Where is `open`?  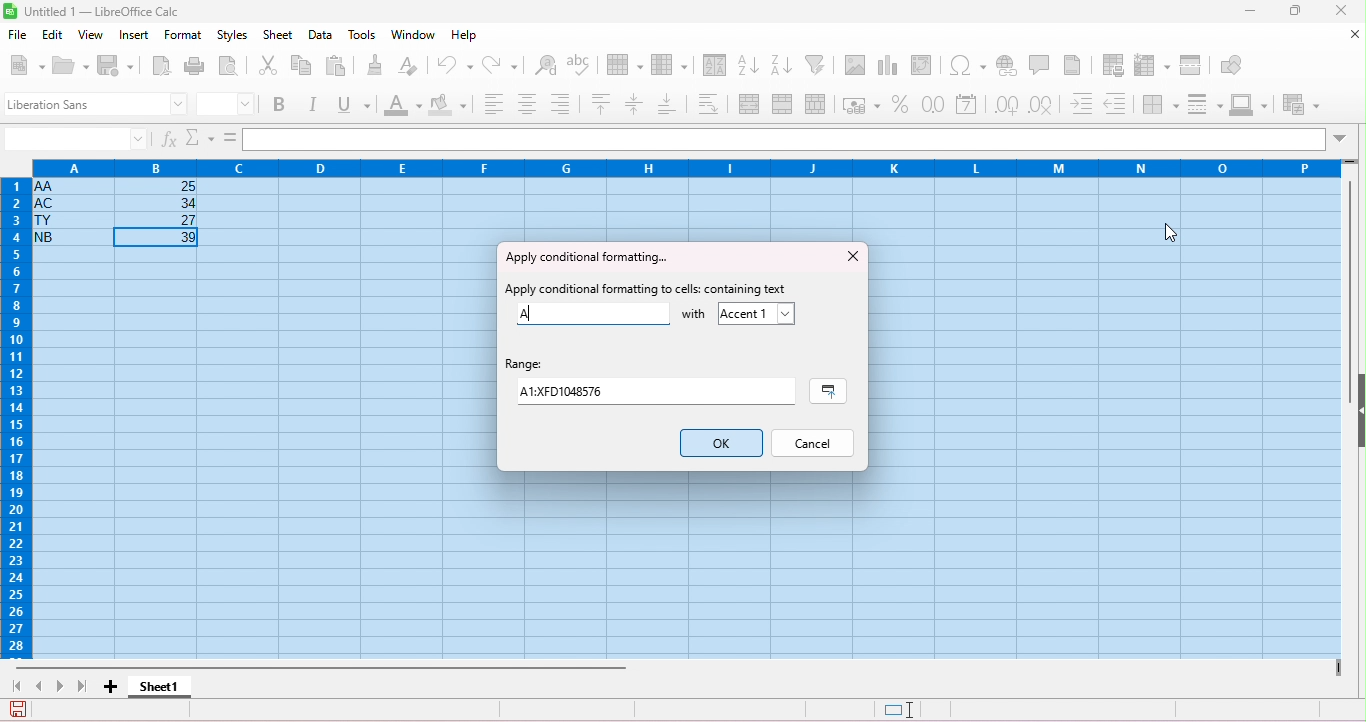 open is located at coordinates (72, 64).